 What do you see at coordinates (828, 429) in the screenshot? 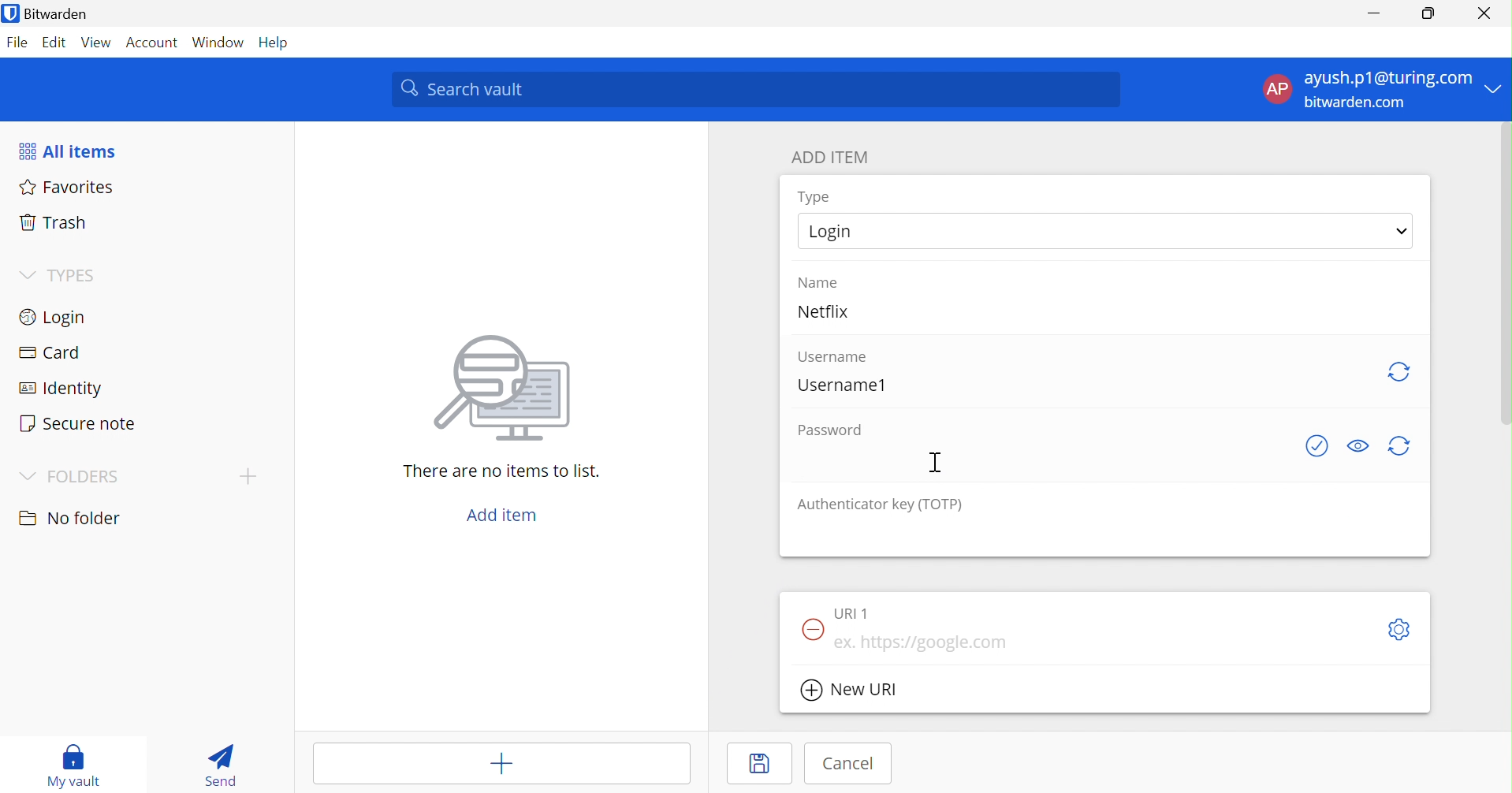
I see `Password` at bounding box center [828, 429].